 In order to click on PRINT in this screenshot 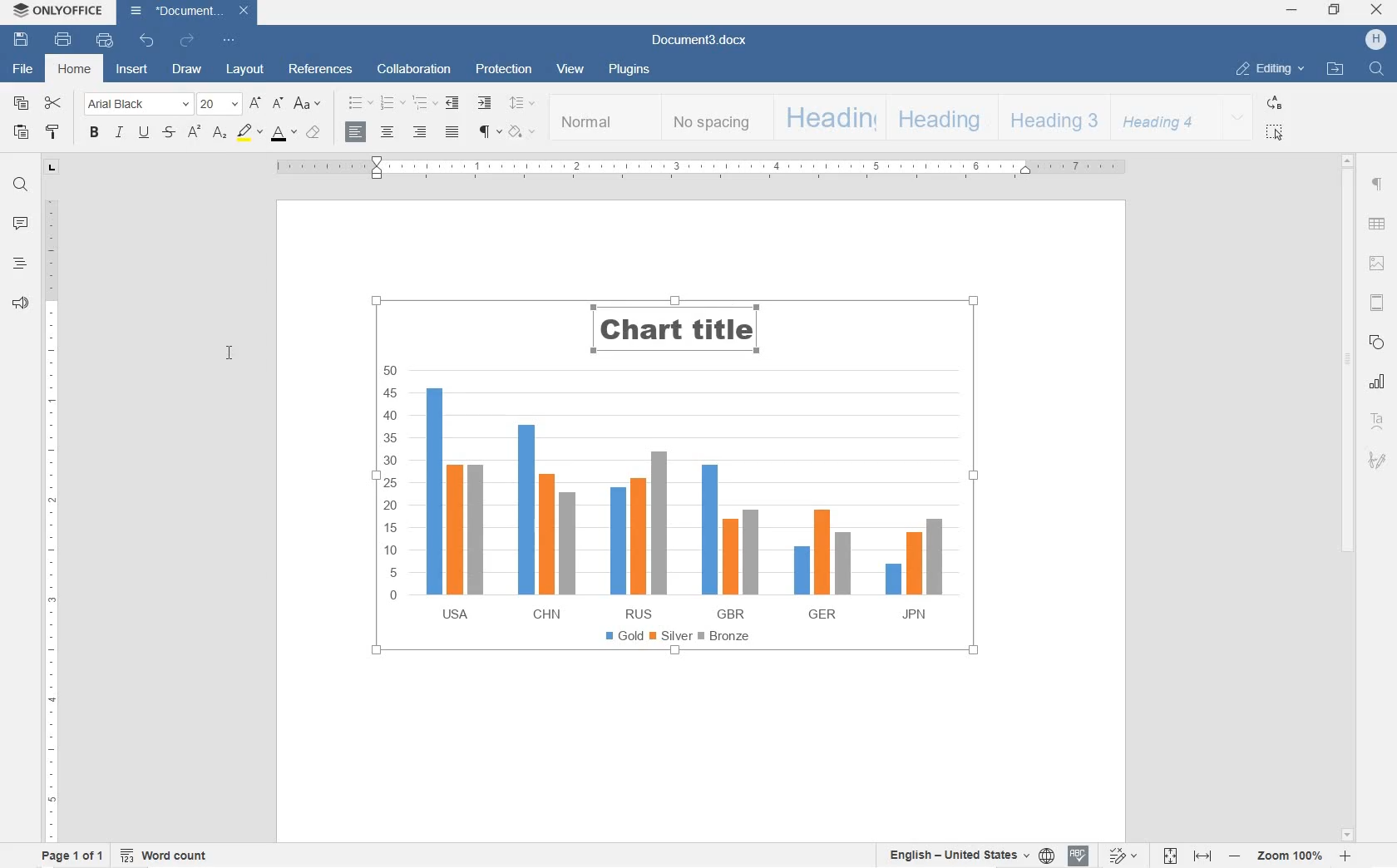, I will do `click(65, 42)`.